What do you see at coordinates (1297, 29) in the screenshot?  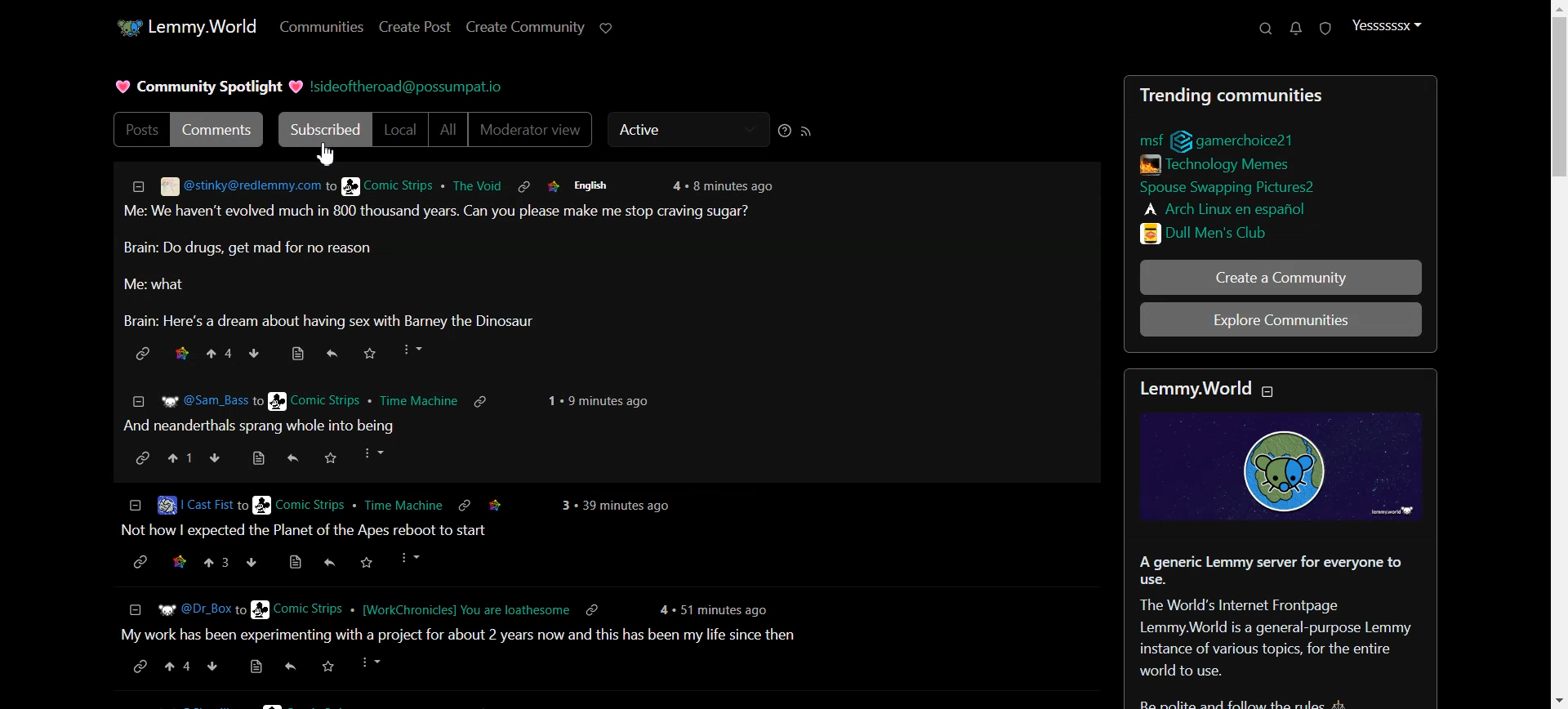 I see `Unread Message` at bounding box center [1297, 29].